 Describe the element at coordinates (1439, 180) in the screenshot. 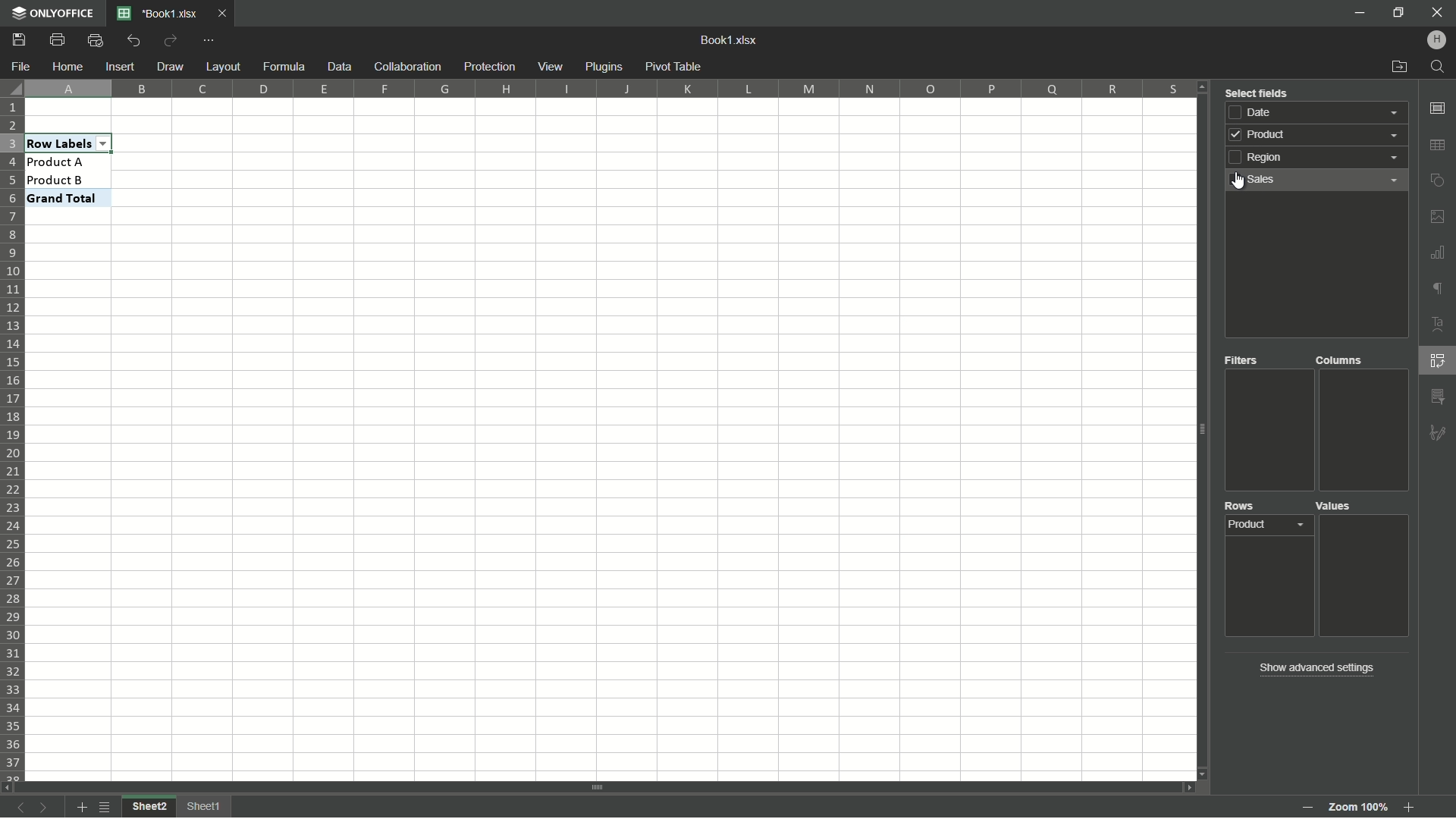

I see `insert shape` at that location.